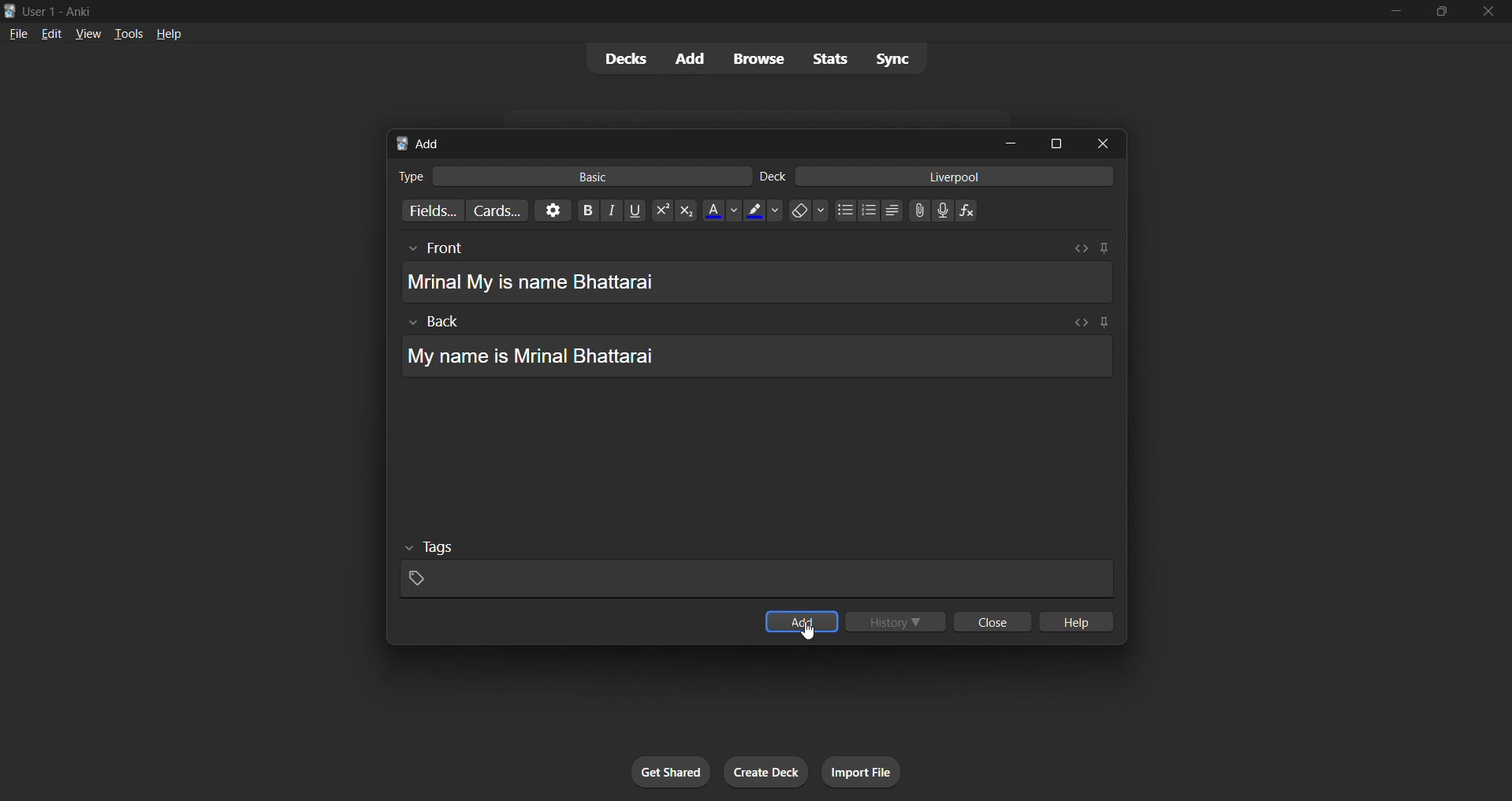 The image size is (1512, 801). What do you see at coordinates (498, 210) in the screenshot?
I see `customize card templates` at bounding box center [498, 210].